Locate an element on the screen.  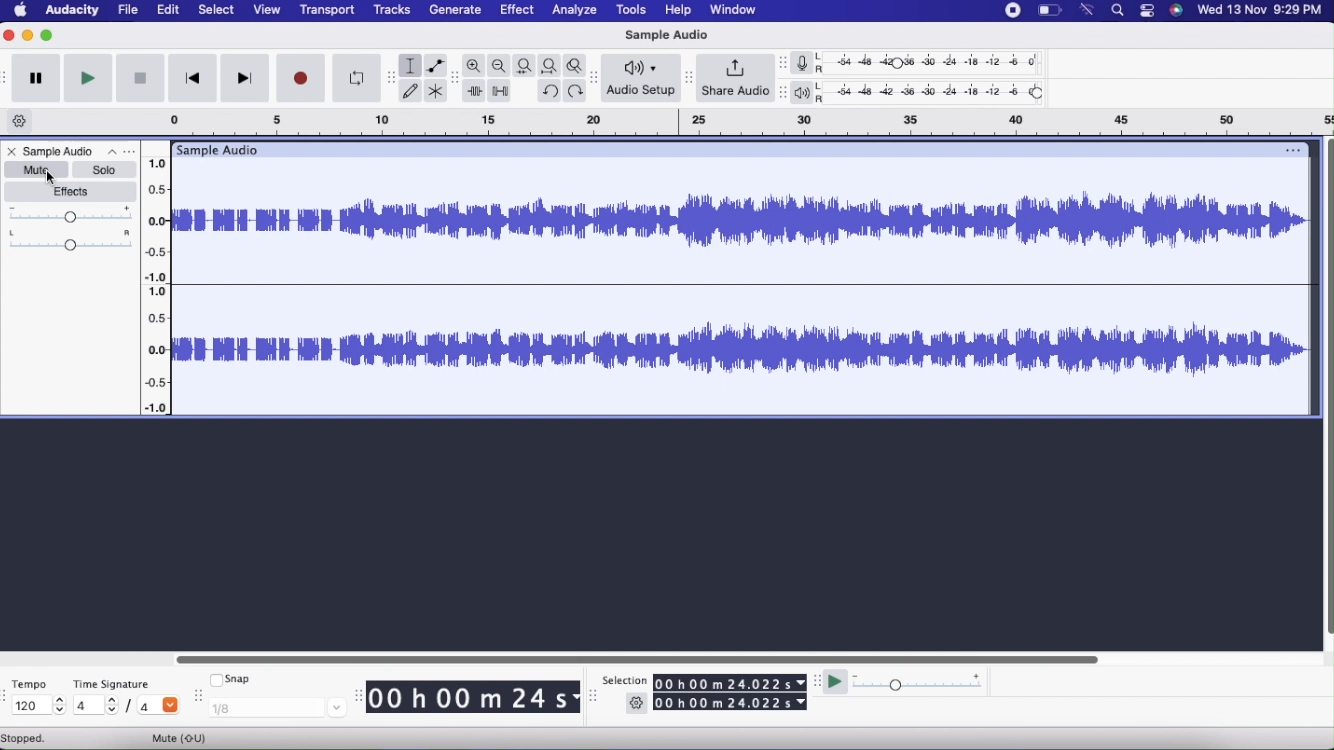
Multi-tool is located at coordinates (437, 91).